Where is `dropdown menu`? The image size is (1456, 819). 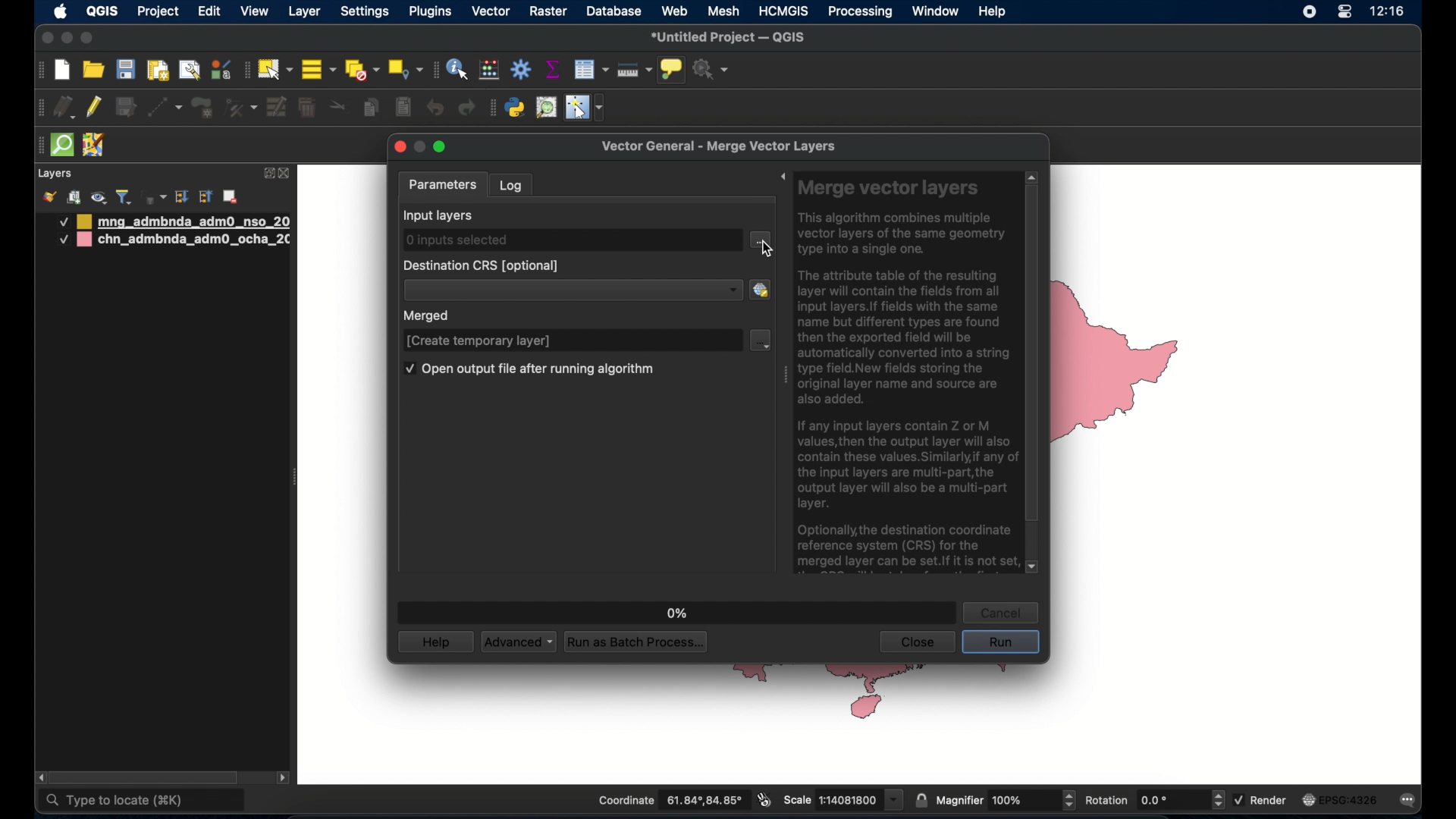
dropdown menu is located at coordinates (761, 340).